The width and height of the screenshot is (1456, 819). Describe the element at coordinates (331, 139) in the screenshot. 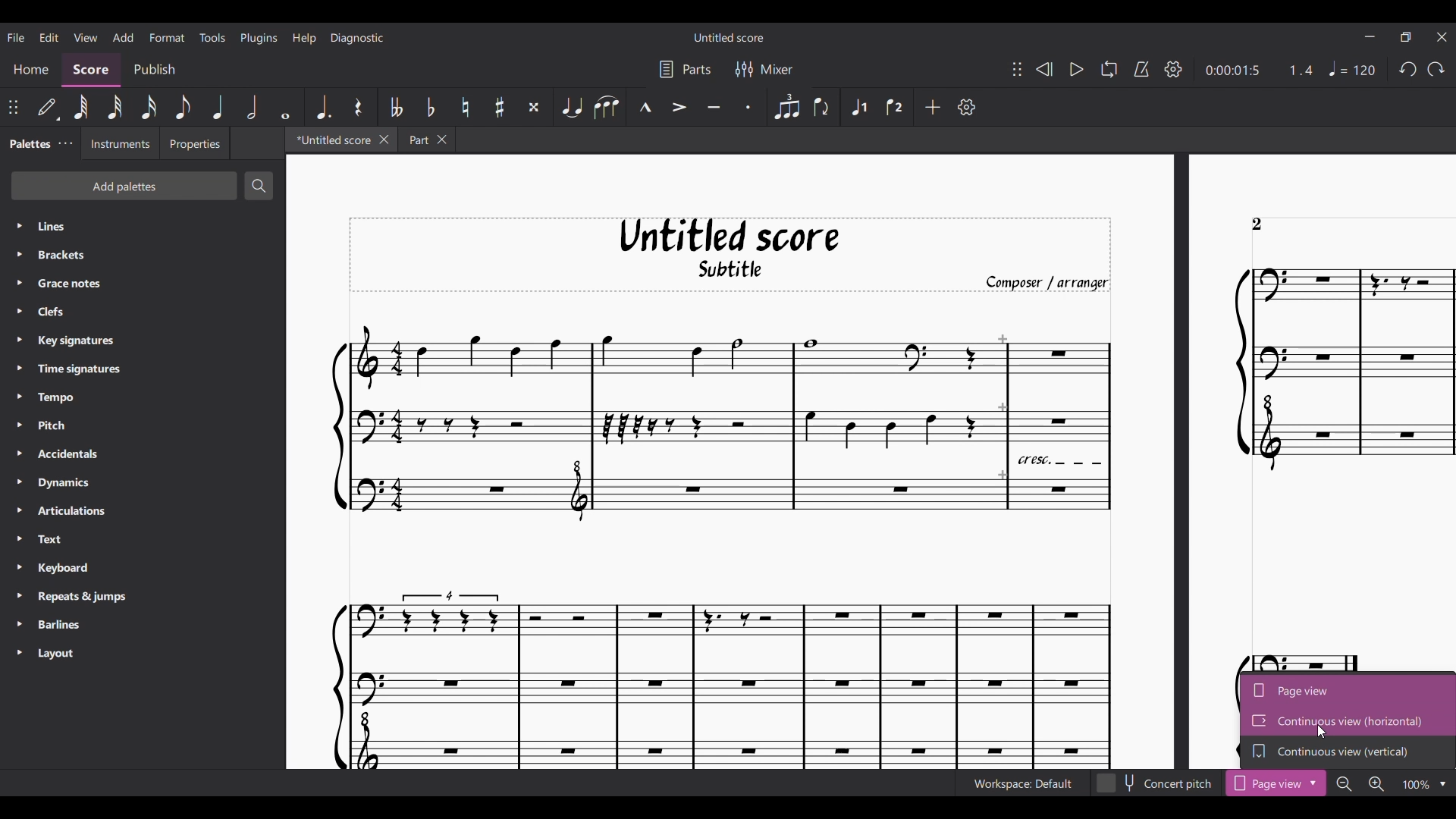

I see `Current tab` at that location.